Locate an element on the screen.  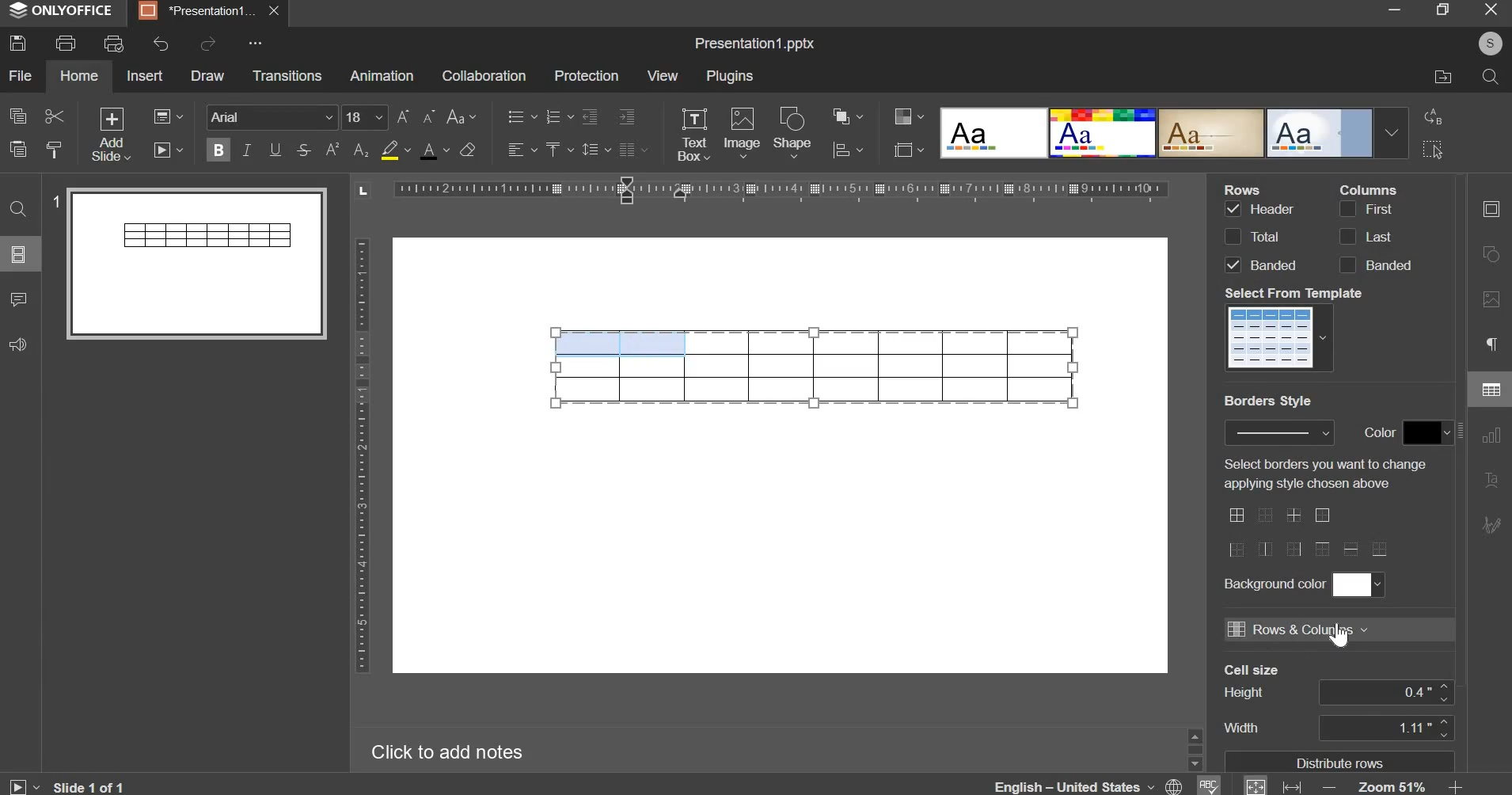
rows is located at coordinates (1259, 236).